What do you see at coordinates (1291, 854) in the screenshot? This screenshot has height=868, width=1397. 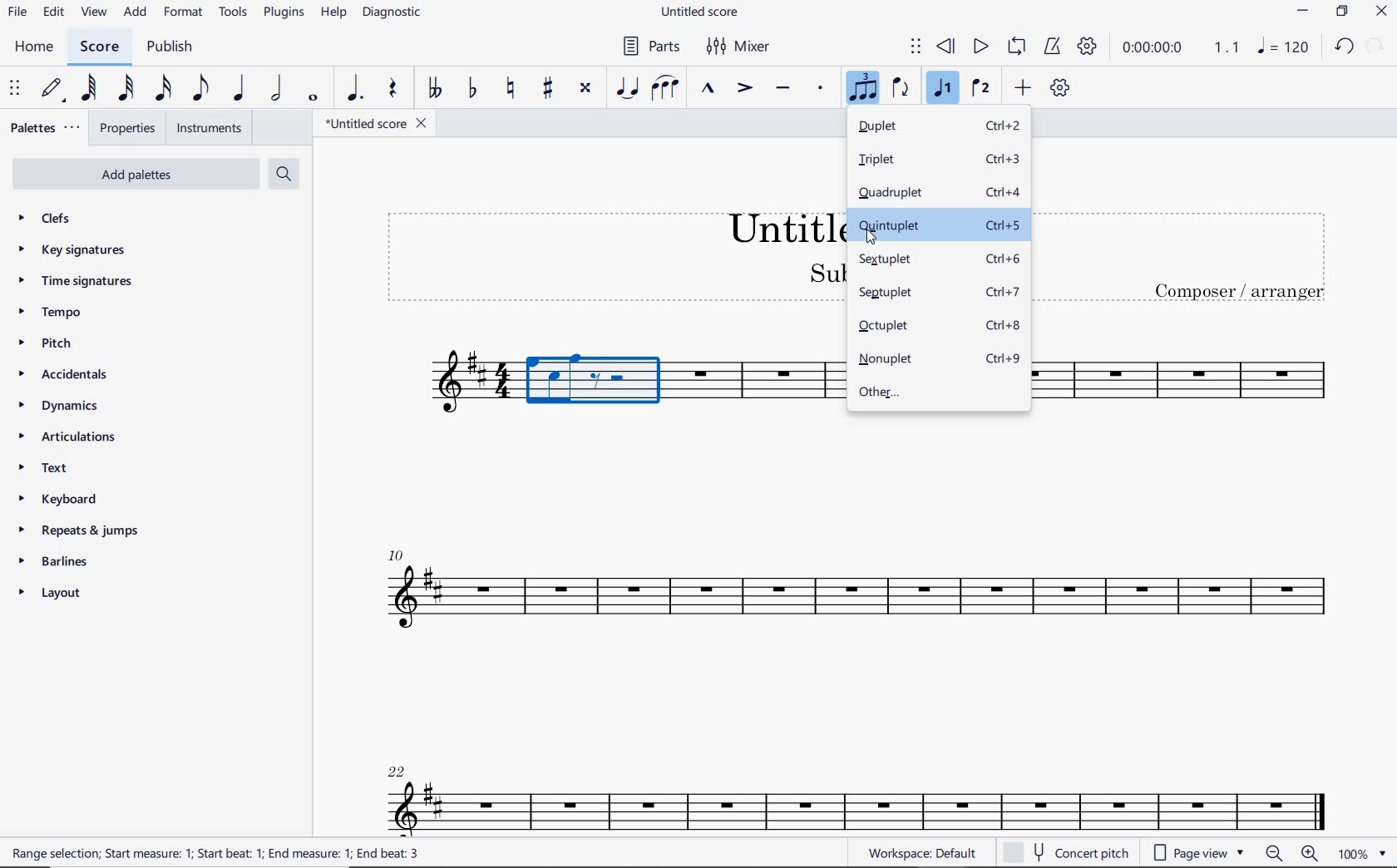 I see `zoom in or zoom out` at bounding box center [1291, 854].